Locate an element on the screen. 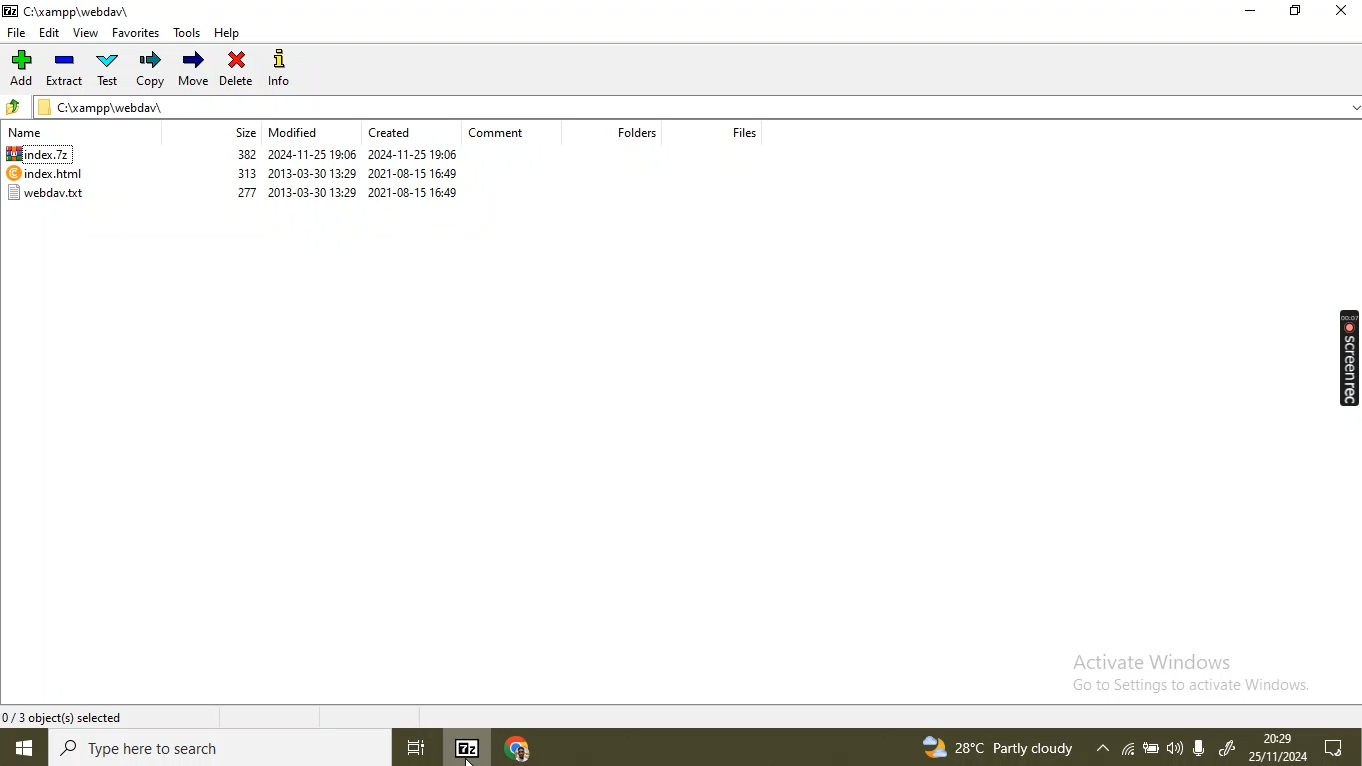 The image size is (1362, 766). 7 zip logo is located at coordinates (10, 10).